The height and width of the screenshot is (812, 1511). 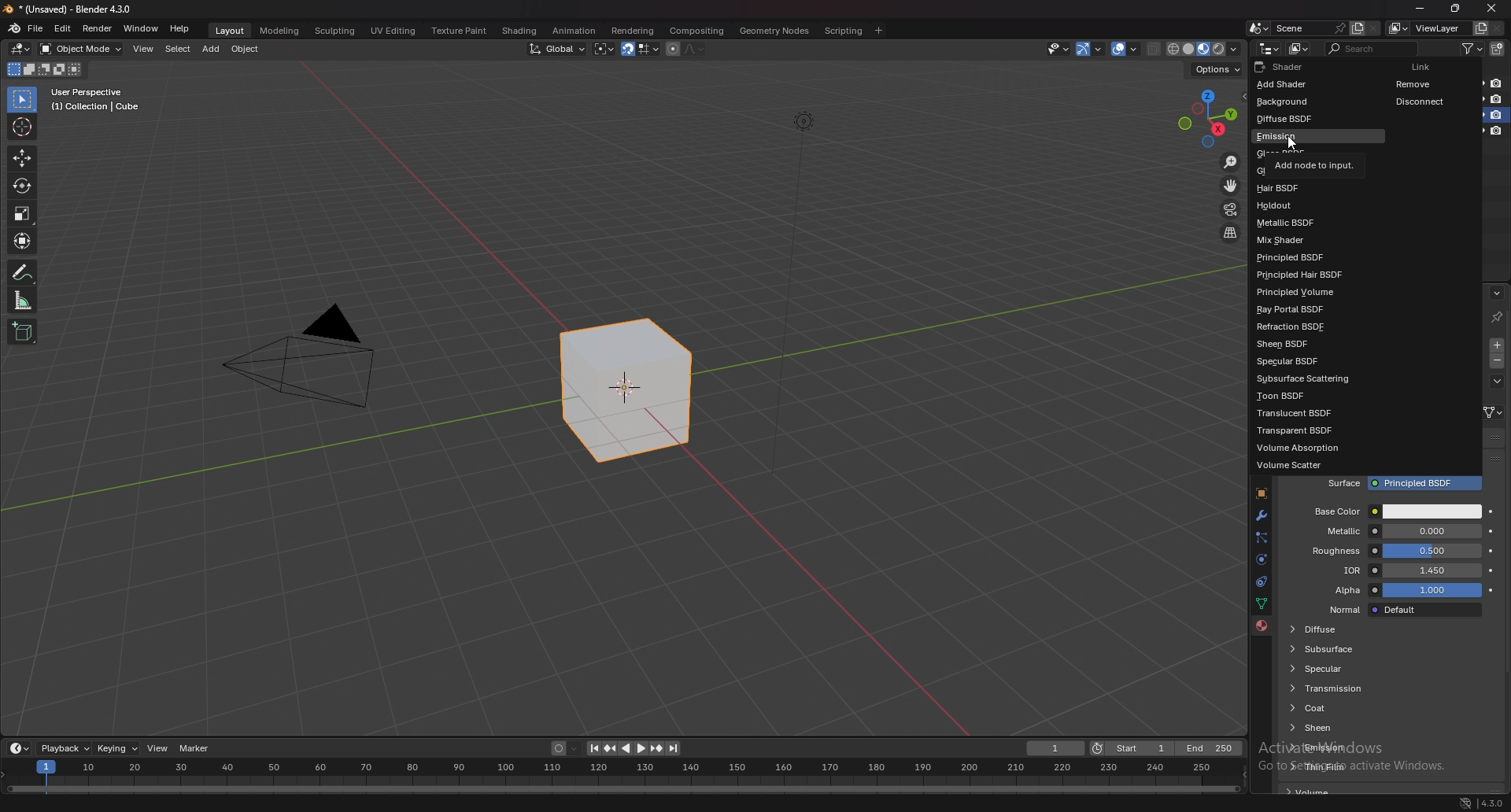 I want to click on toggle pin id, so click(x=1496, y=317).